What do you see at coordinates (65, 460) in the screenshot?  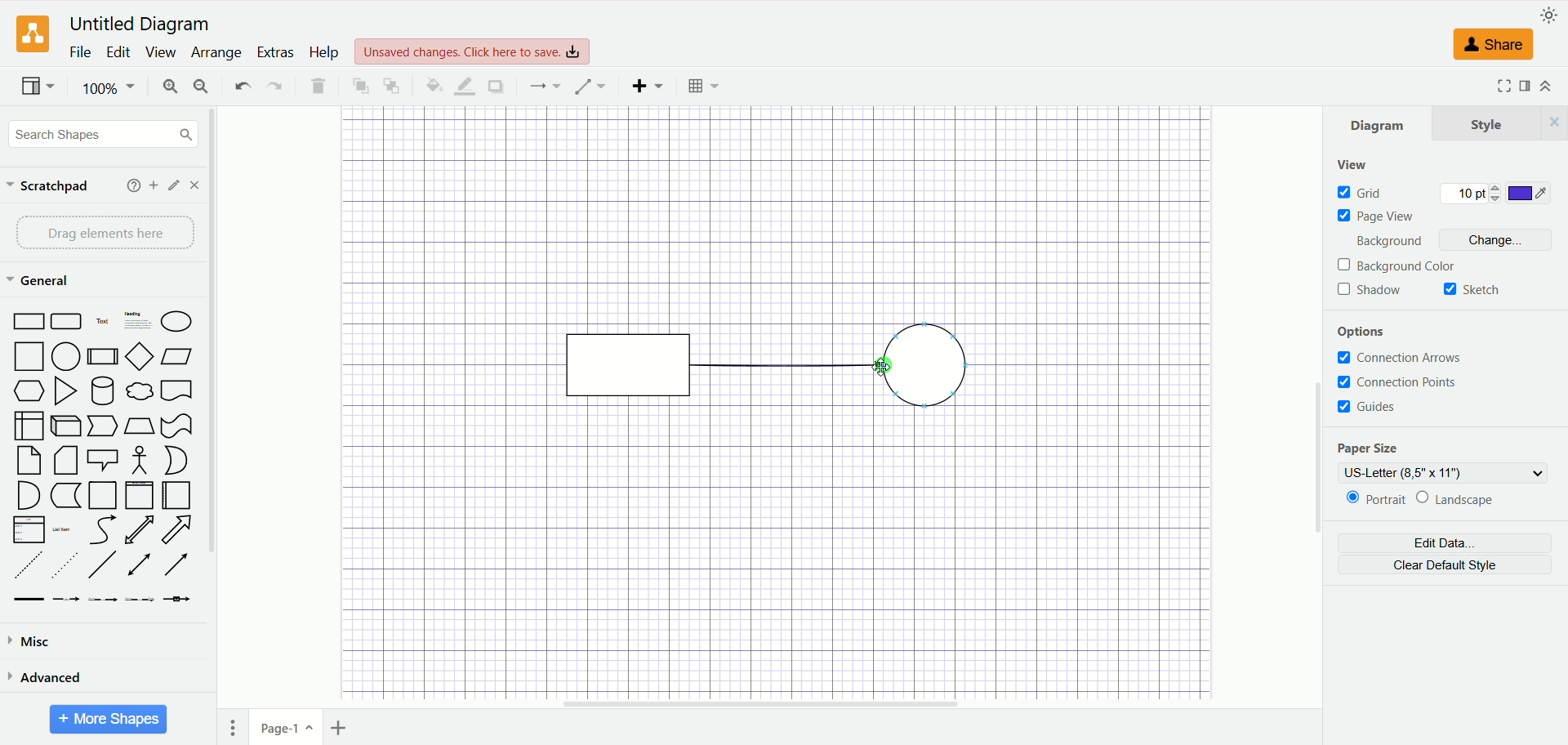 I see `Folded Corner Page` at bounding box center [65, 460].